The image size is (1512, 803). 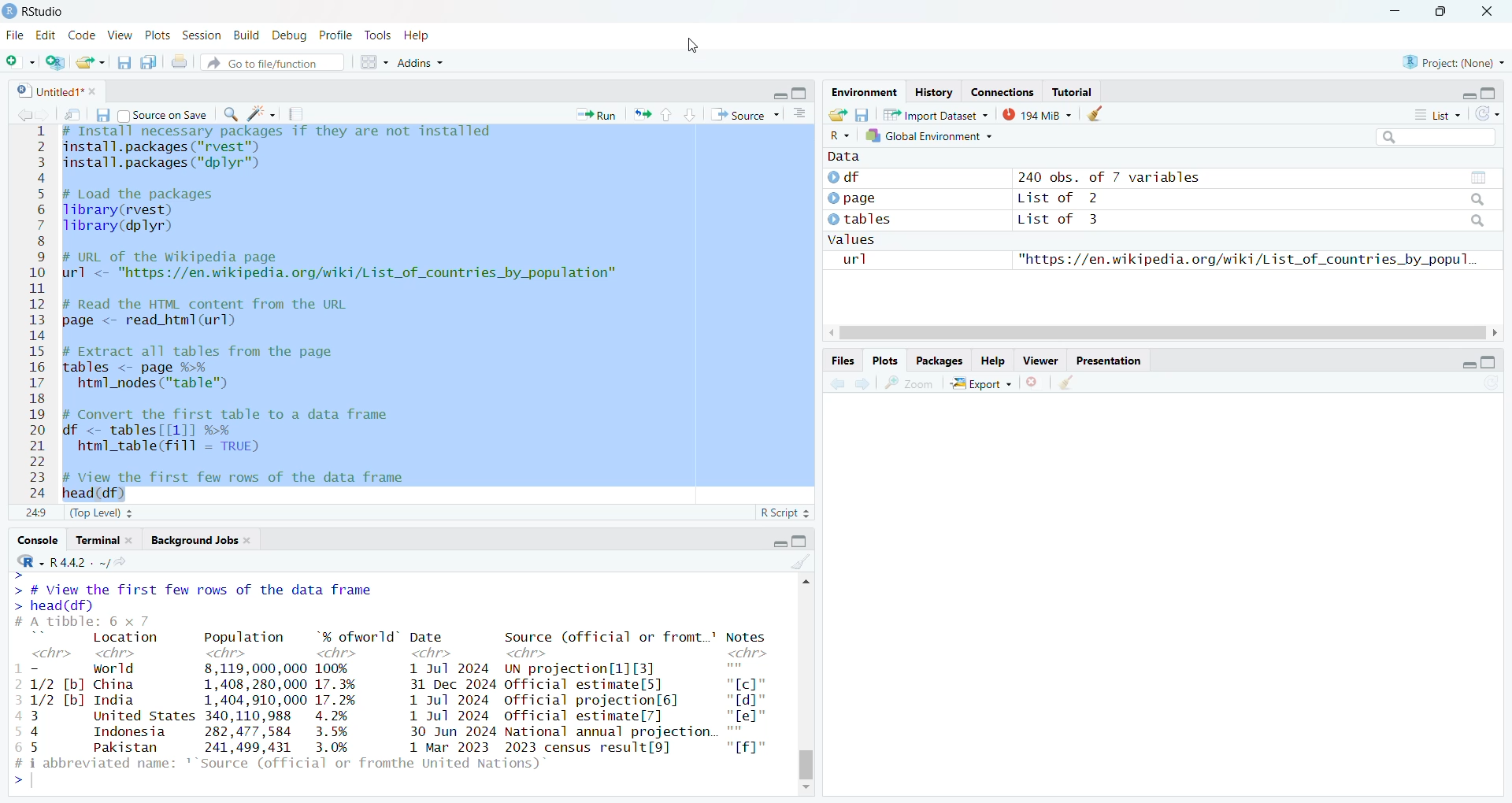 What do you see at coordinates (611, 637) in the screenshot?
I see `Source (official or from...` at bounding box center [611, 637].